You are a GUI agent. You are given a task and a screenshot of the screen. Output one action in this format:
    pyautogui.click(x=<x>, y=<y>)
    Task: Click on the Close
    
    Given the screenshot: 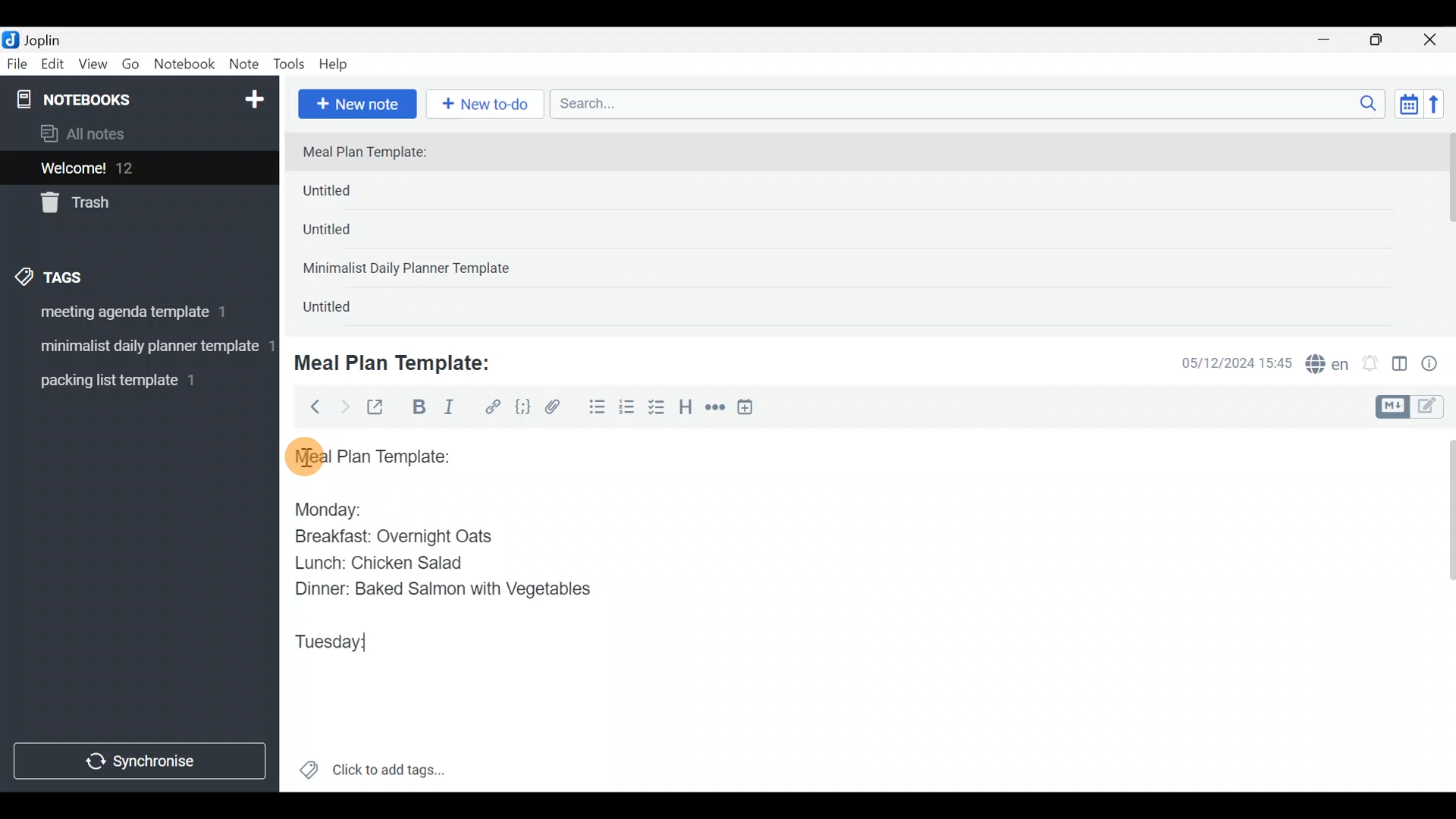 What is the action you would take?
    pyautogui.click(x=1432, y=41)
    